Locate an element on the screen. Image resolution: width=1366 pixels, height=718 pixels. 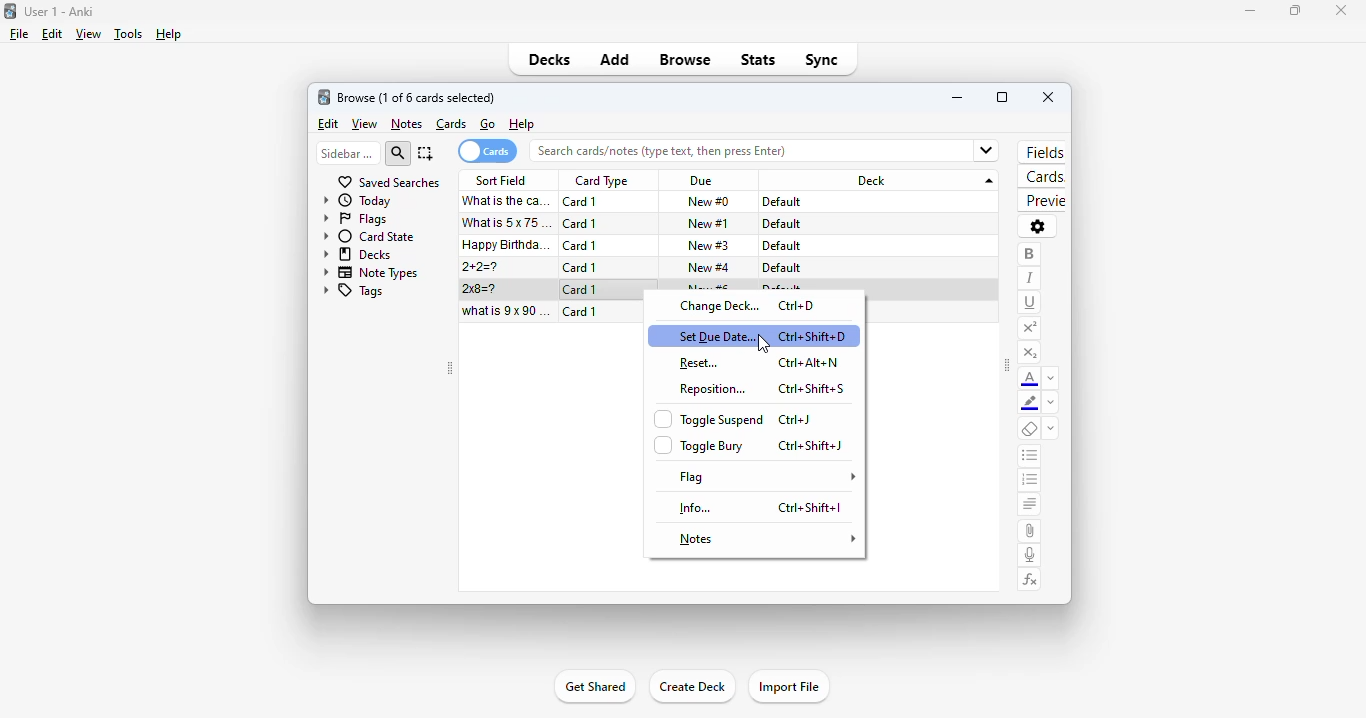
add is located at coordinates (614, 61).